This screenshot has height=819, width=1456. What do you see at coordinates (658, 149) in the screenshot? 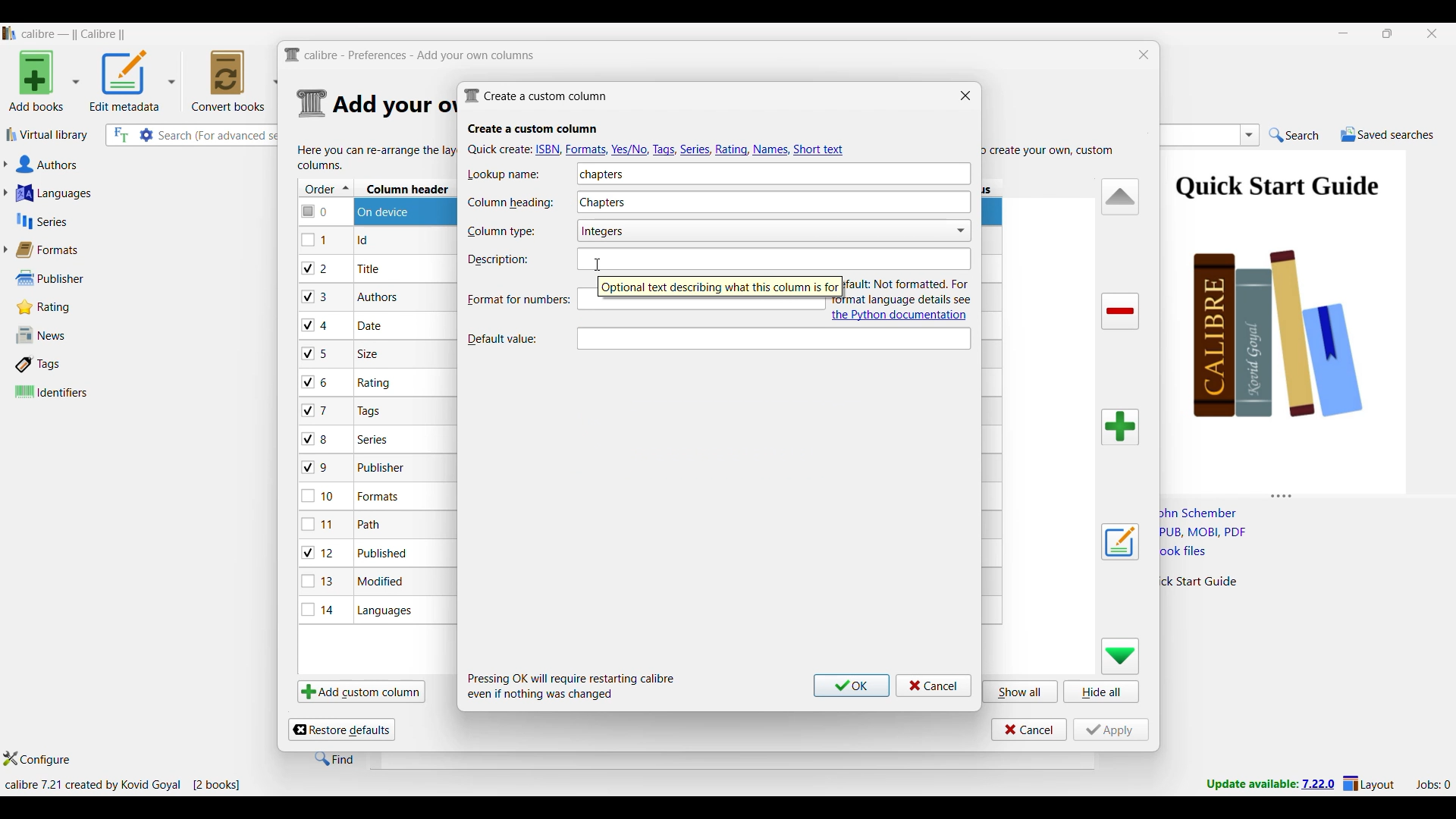
I see `Quick create options` at bounding box center [658, 149].